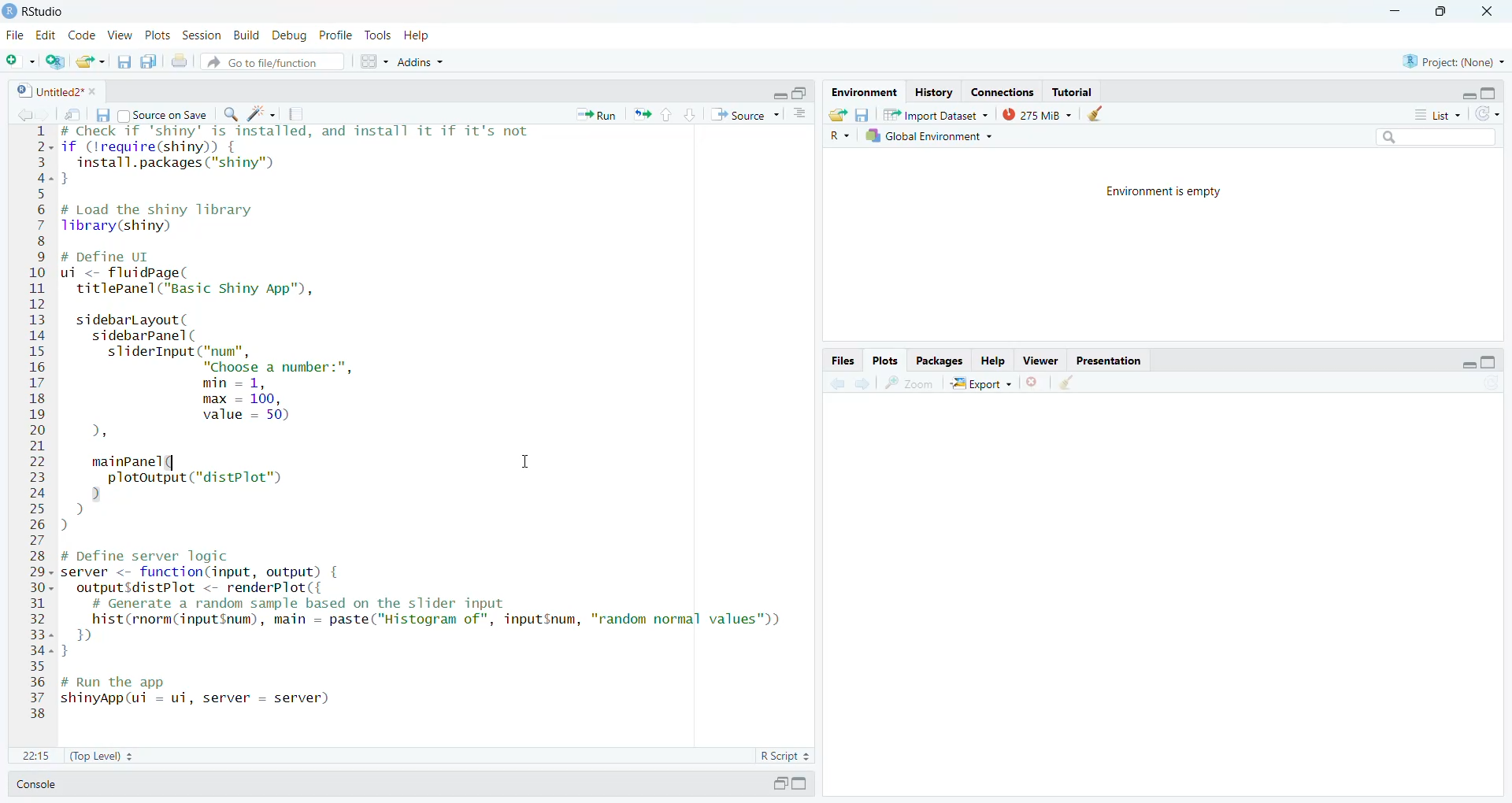 Image resolution: width=1512 pixels, height=803 pixels. Describe the element at coordinates (837, 114) in the screenshot. I see `open folder` at that location.